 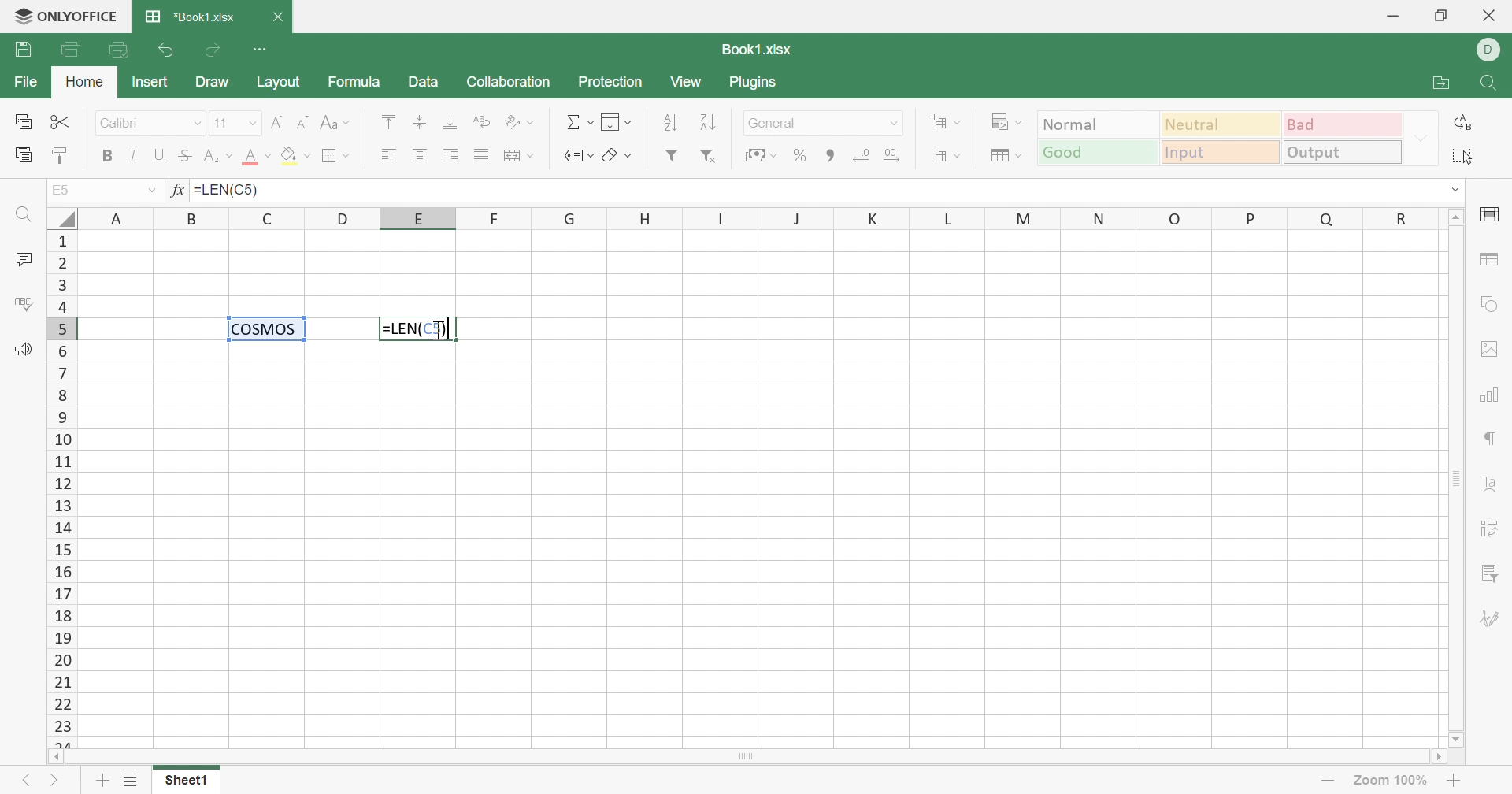 I want to click on Book1.xlsx, so click(x=190, y=17).